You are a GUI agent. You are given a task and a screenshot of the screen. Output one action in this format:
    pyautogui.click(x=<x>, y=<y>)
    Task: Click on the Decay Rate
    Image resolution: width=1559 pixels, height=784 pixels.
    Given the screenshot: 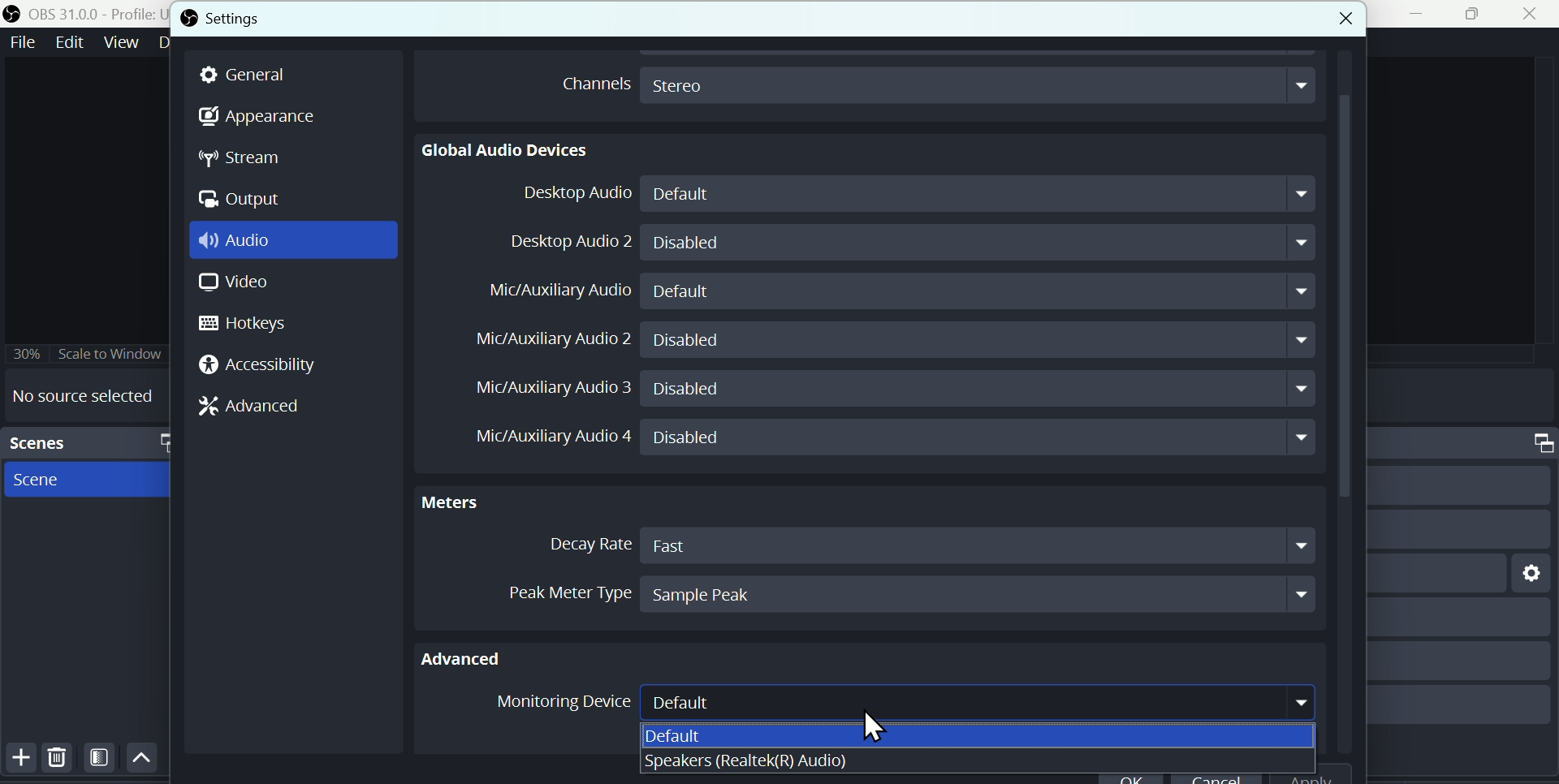 What is the action you would take?
    pyautogui.click(x=584, y=545)
    